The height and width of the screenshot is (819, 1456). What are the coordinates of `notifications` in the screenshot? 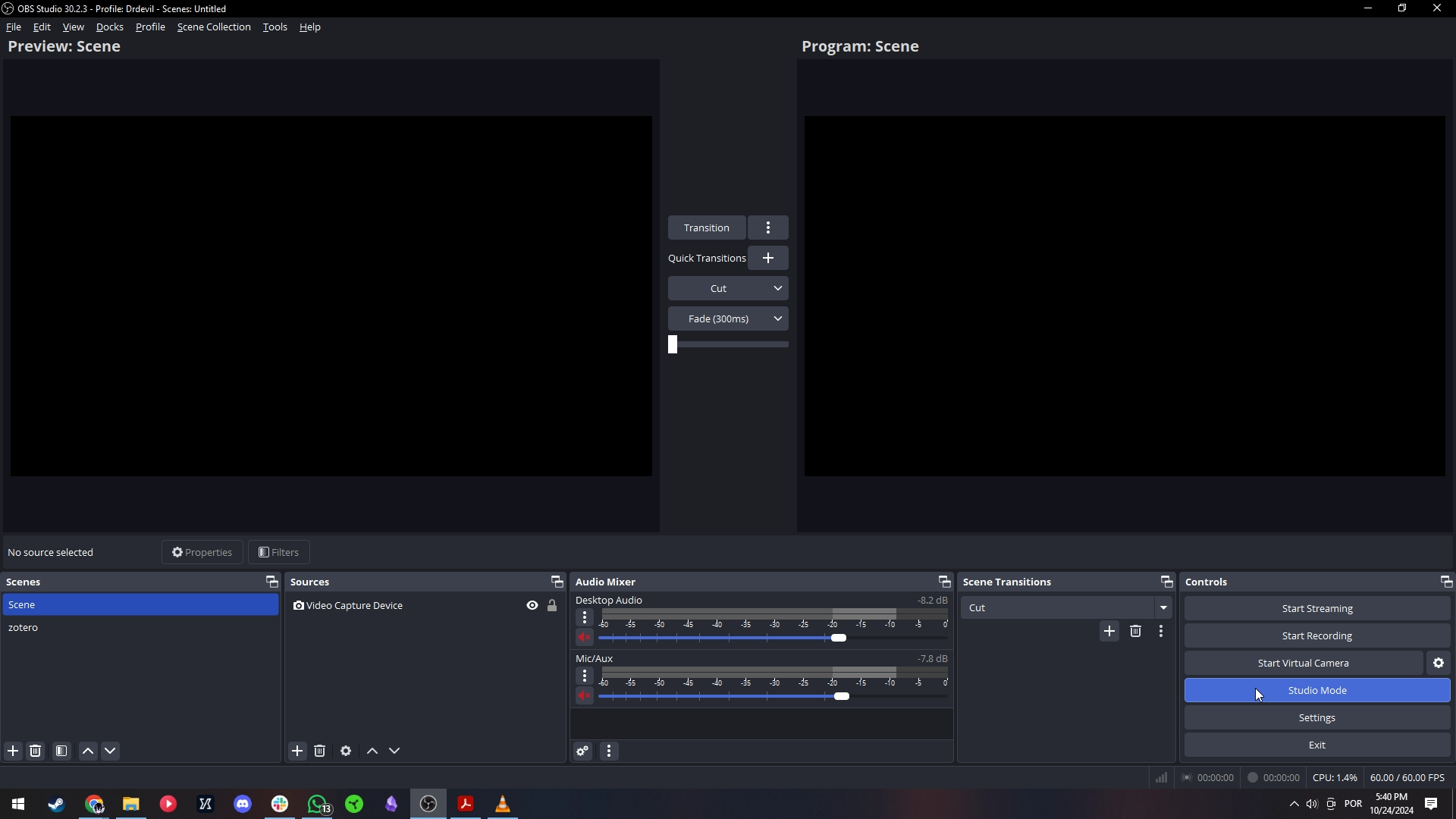 It's located at (1435, 805).